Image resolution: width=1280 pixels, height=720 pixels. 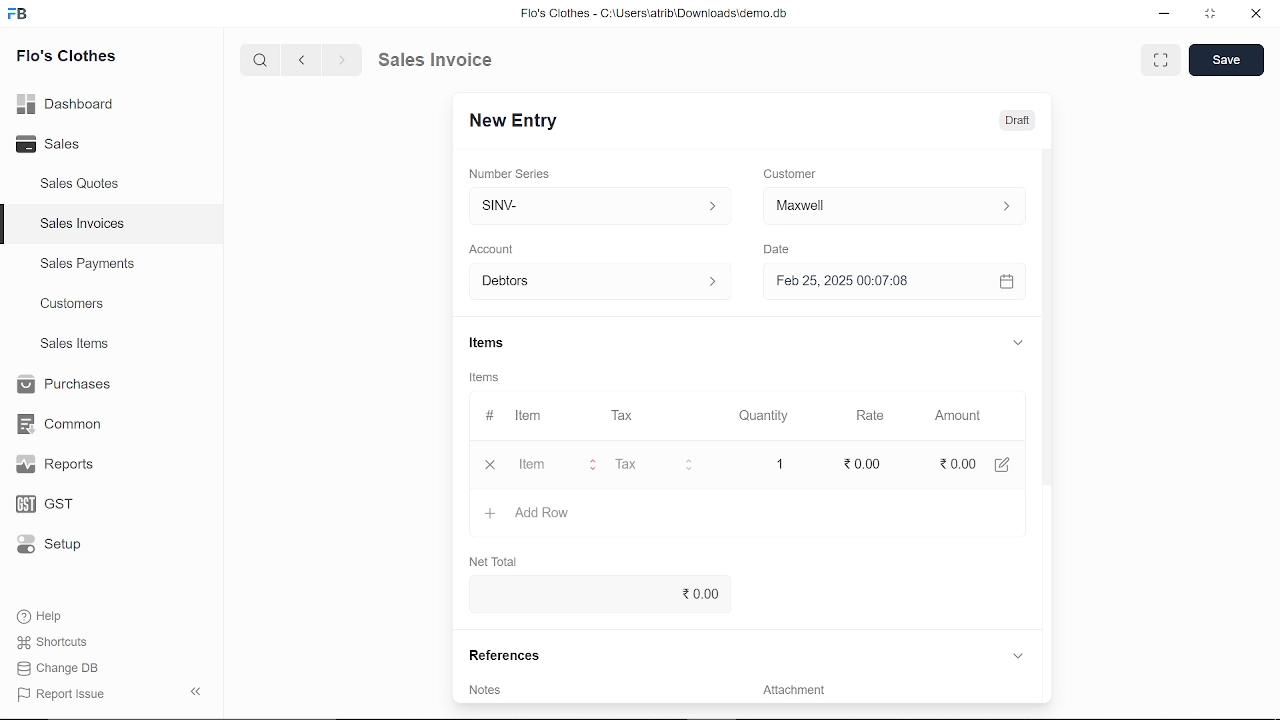 What do you see at coordinates (1050, 325) in the screenshot?
I see `vertical scrollbar` at bounding box center [1050, 325].